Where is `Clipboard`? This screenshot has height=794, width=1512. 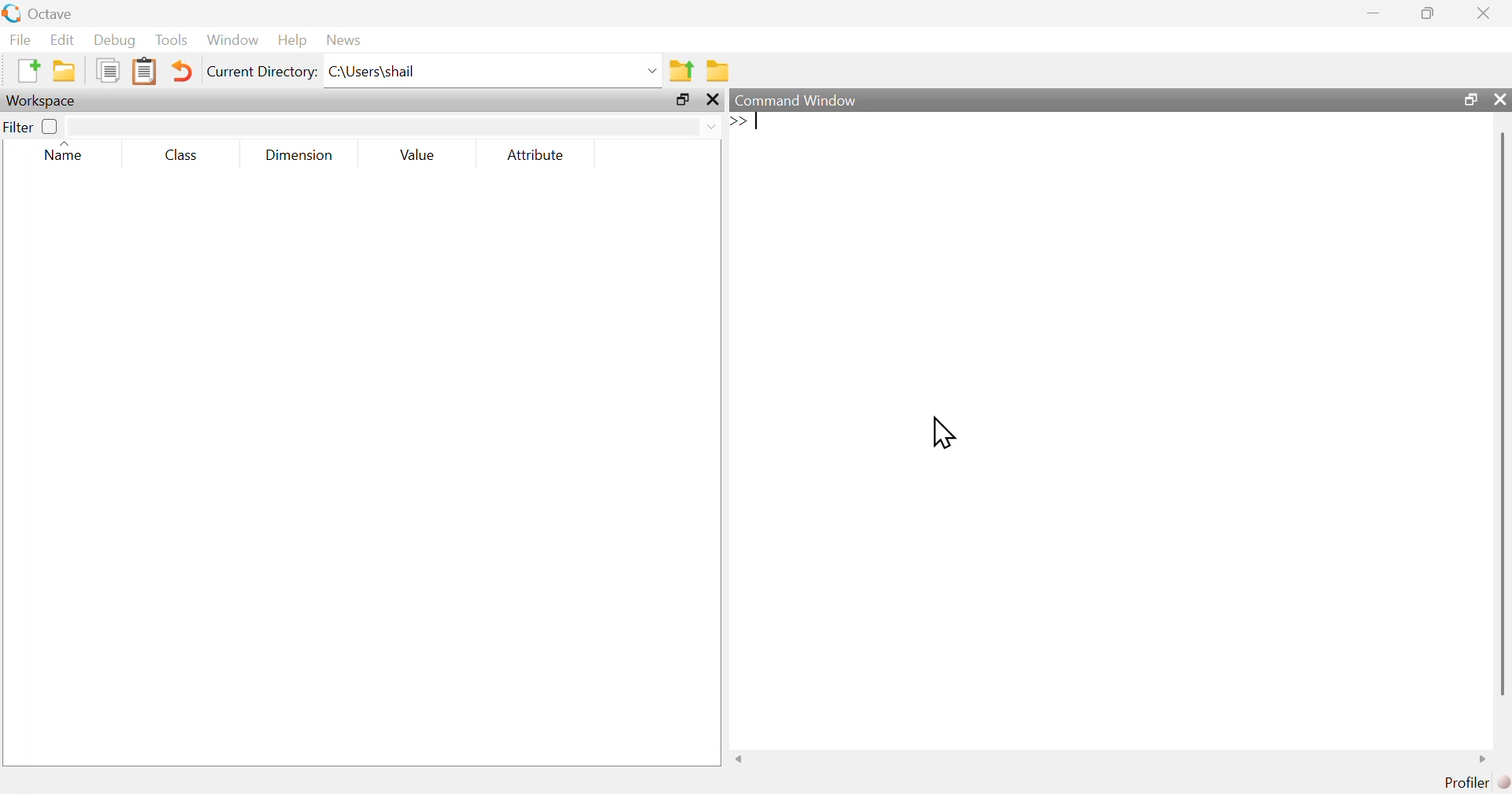
Clipboard is located at coordinates (143, 72).